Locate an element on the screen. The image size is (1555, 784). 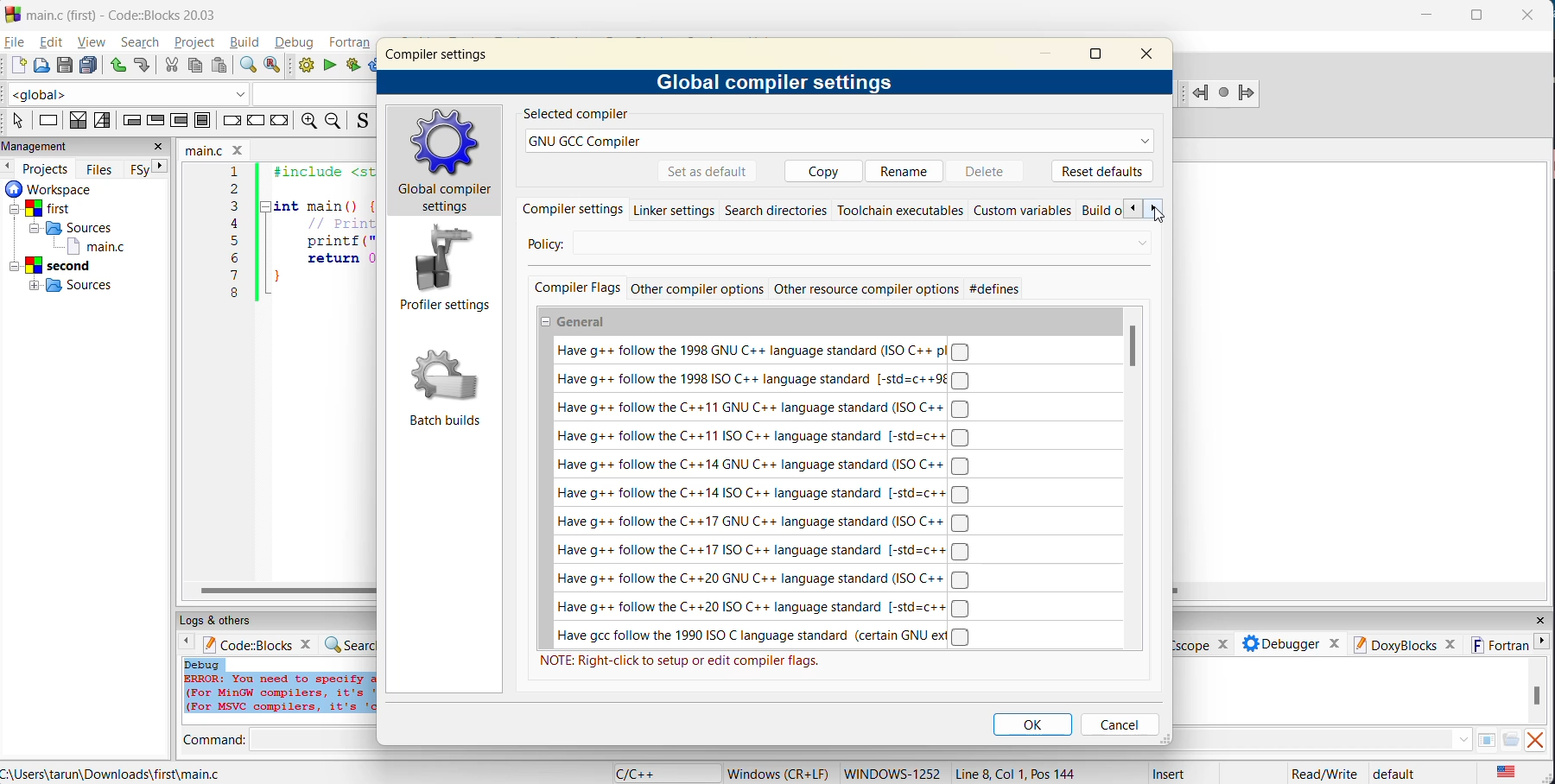
delete is located at coordinates (987, 171).